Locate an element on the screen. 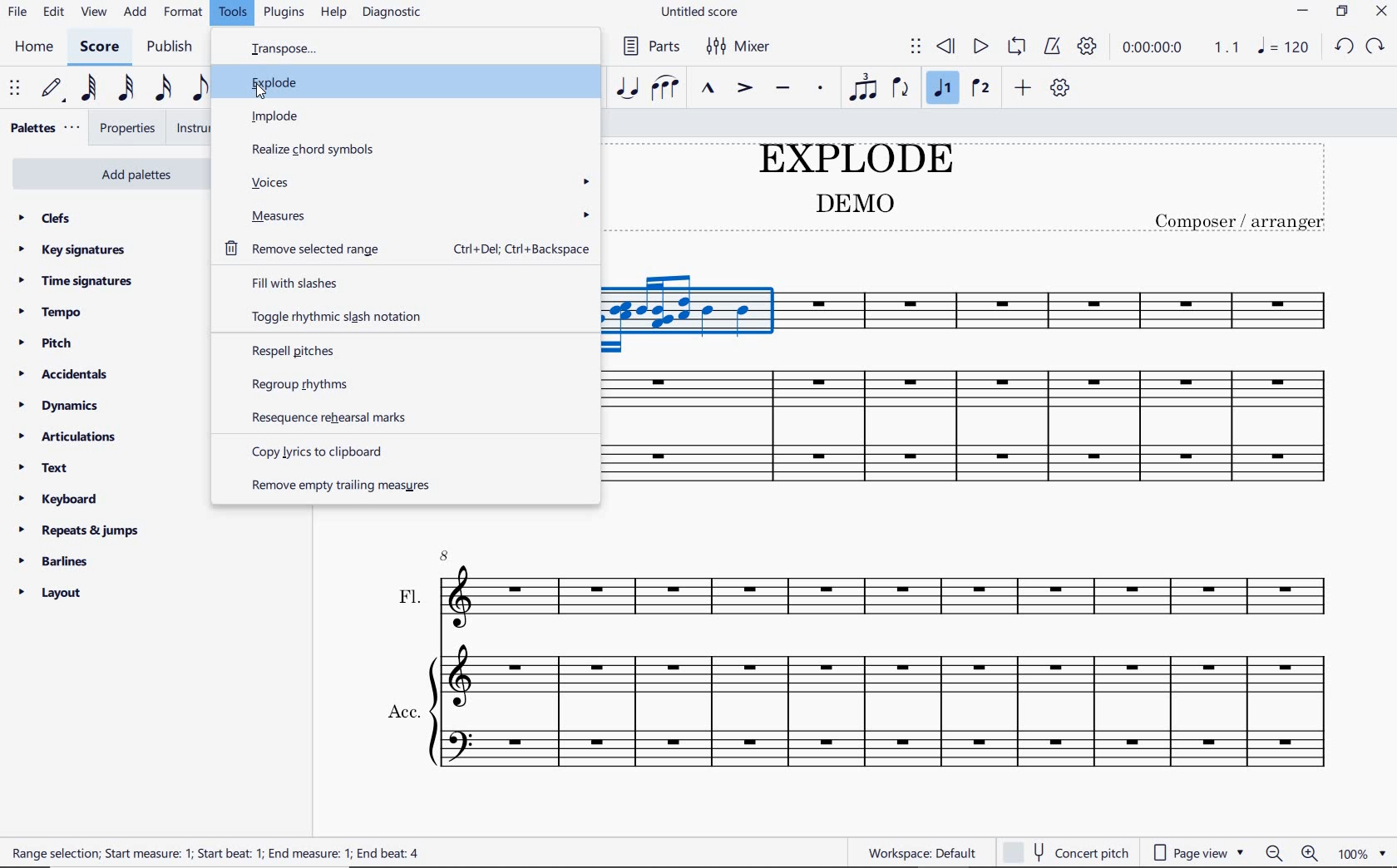 The height and width of the screenshot is (868, 1397). redo is located at coordinates (1378, 47).